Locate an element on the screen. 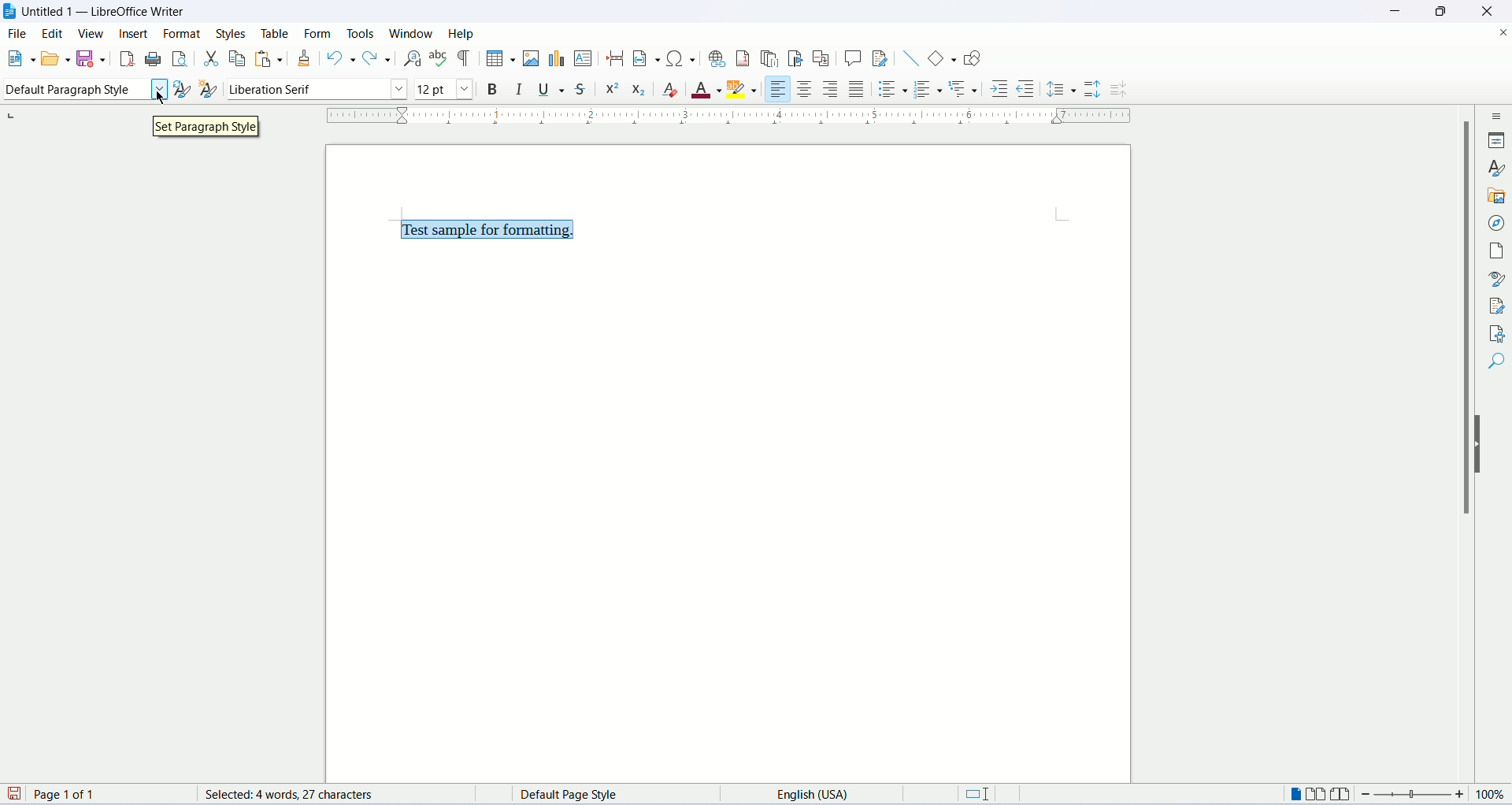 This screenshot has width=1512, height=805. font color is located at coordinates (707, 91).